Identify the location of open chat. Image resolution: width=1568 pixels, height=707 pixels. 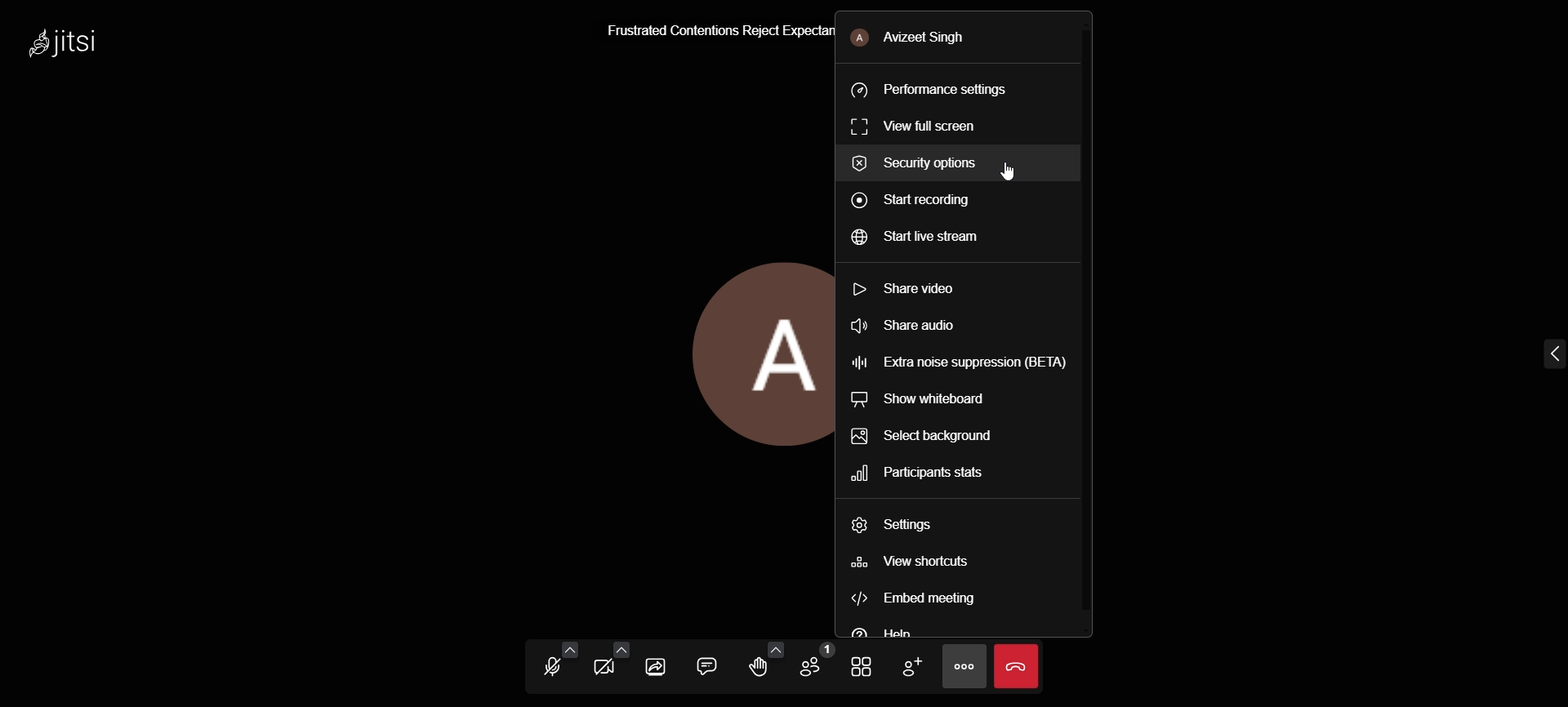
(705, 663).